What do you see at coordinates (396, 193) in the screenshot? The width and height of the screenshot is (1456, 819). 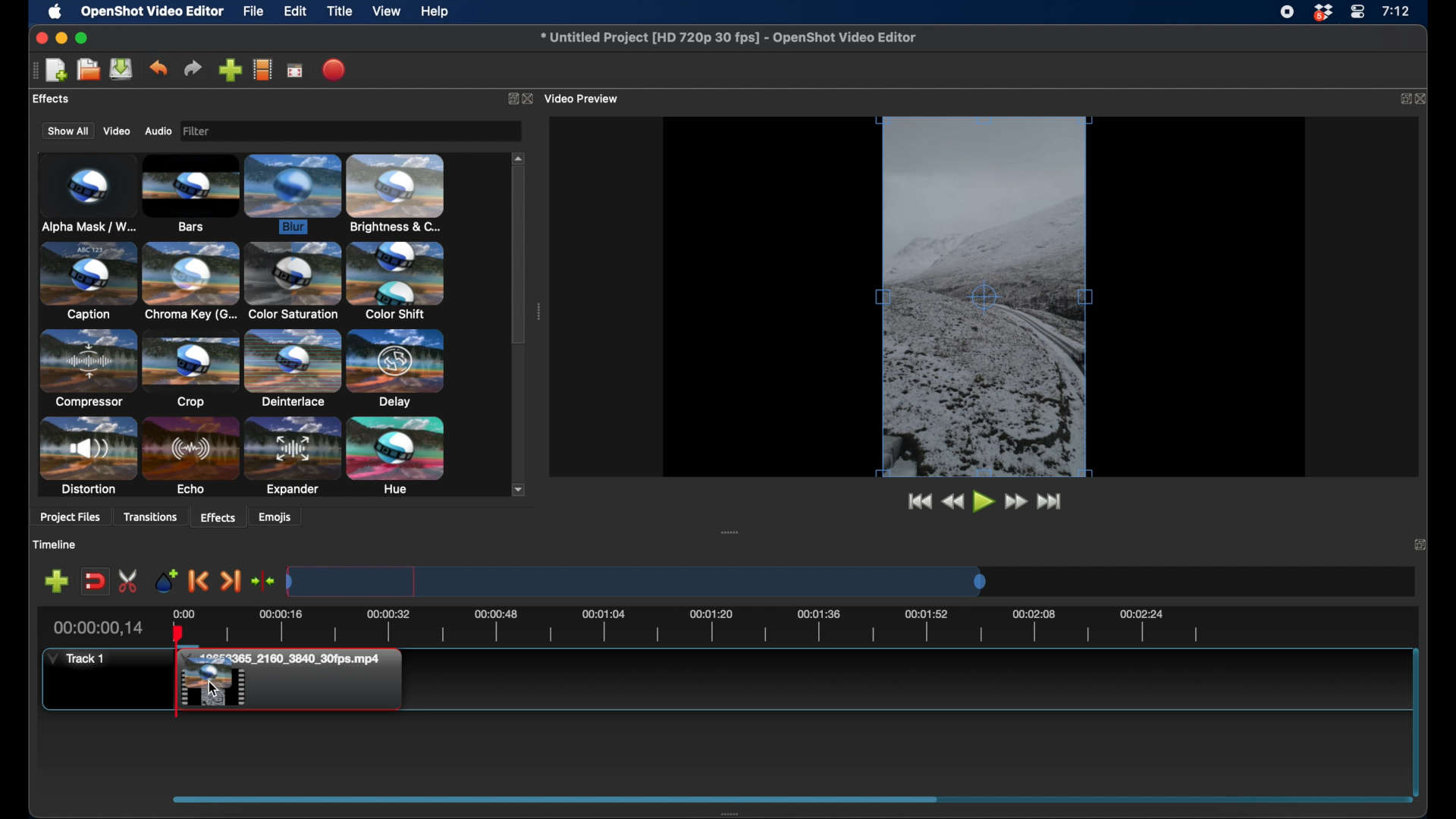 I see `brightness & contrast` at bounding box center [396, 193].